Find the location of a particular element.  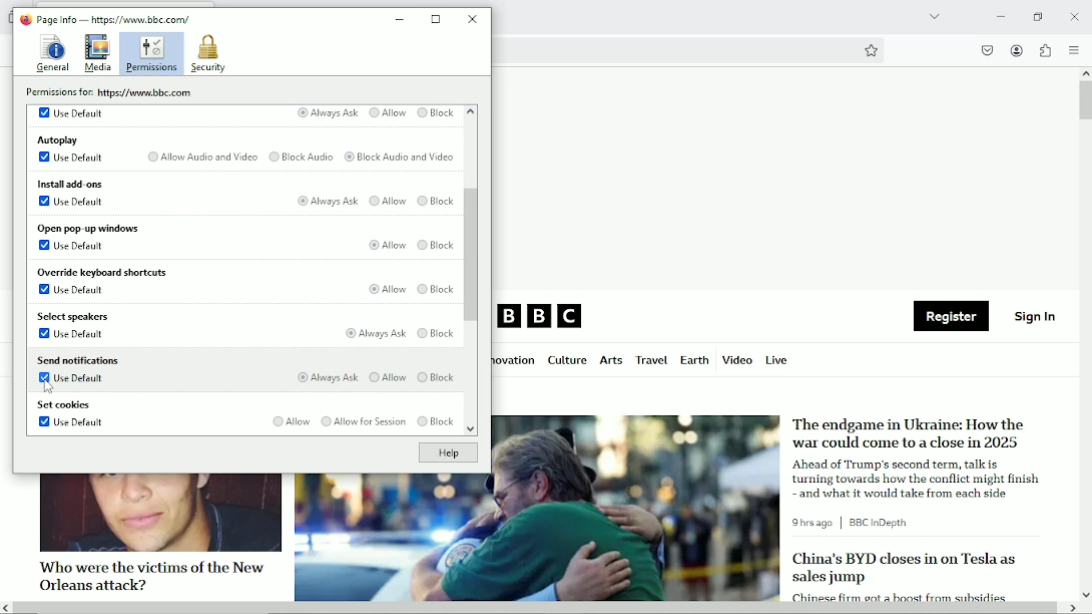

Allow is located at coordinates (389, 288).